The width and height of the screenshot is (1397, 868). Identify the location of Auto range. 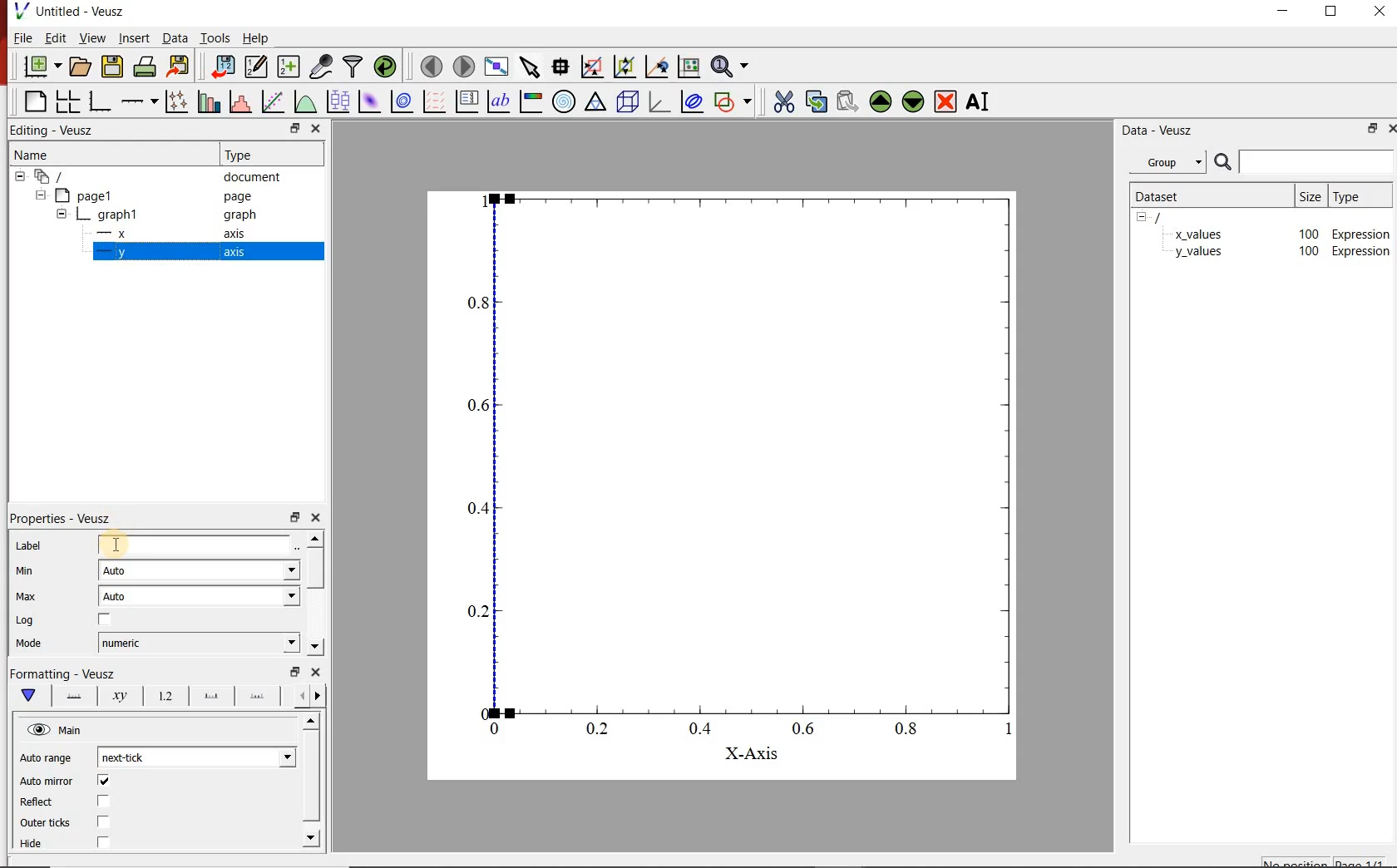
(47, 757).